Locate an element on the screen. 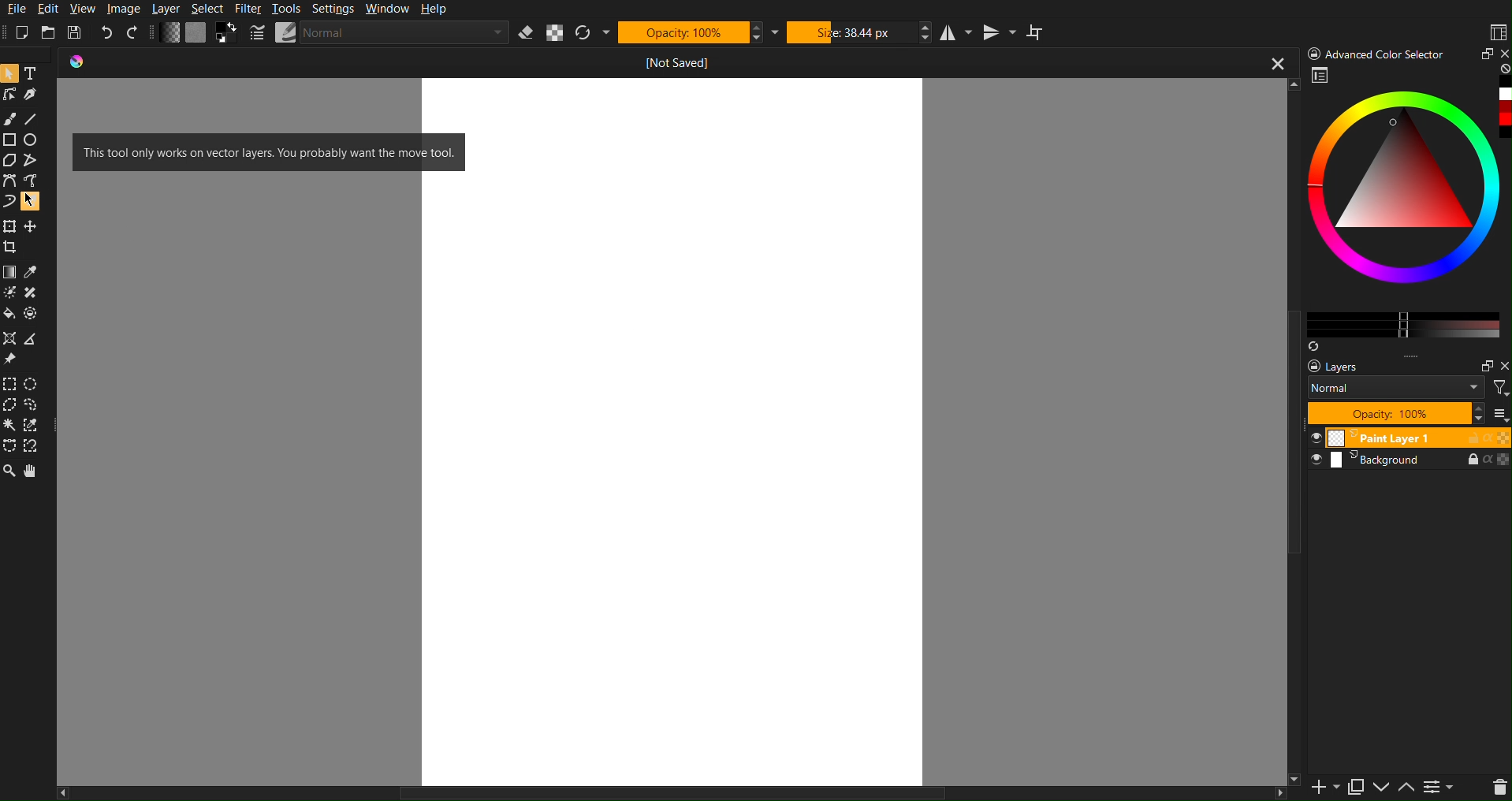  Horizontal Scroll bar is located at coordinates (644, 792).